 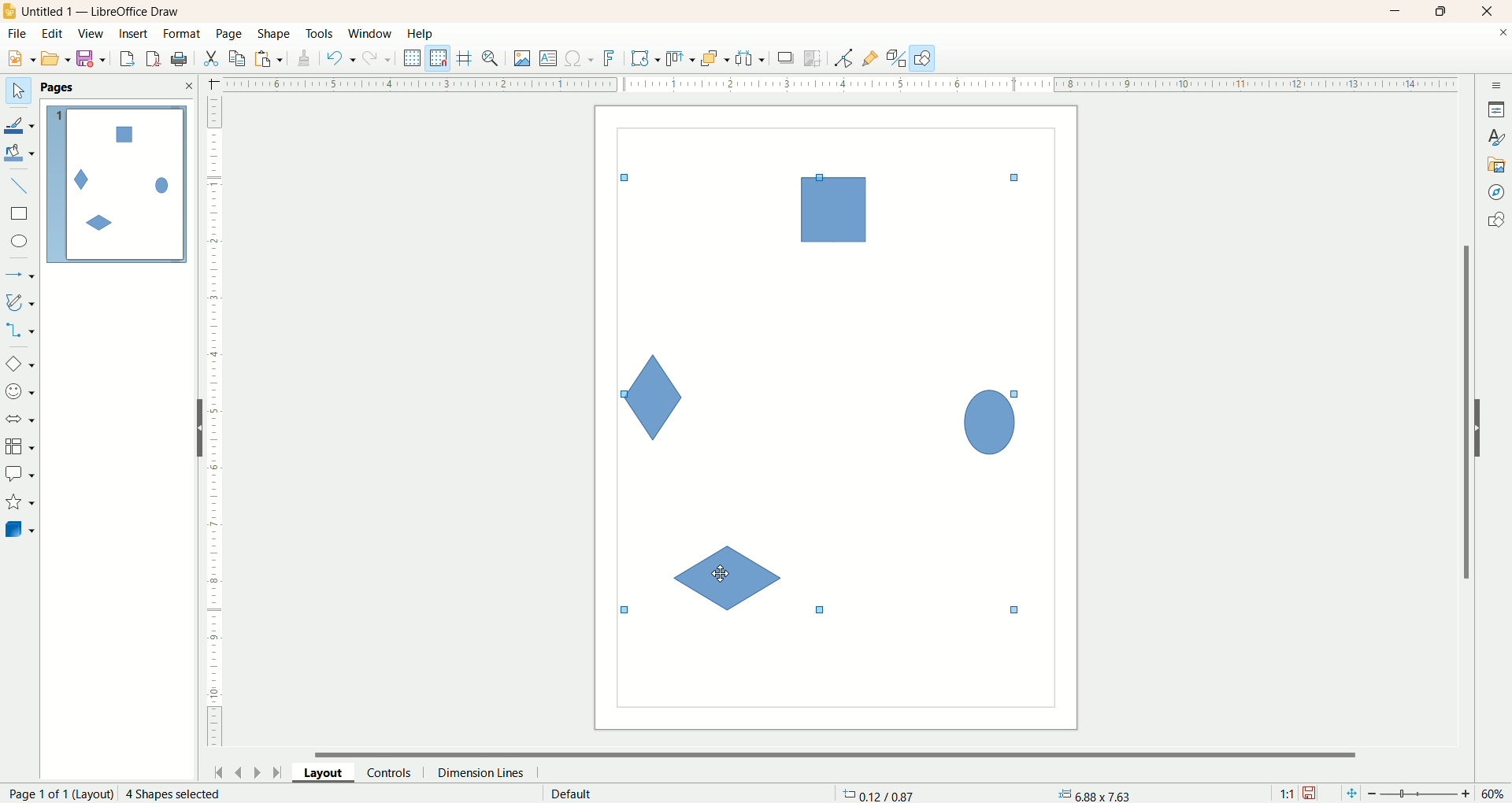 I want to click on page1, so click(x=117, y=184).